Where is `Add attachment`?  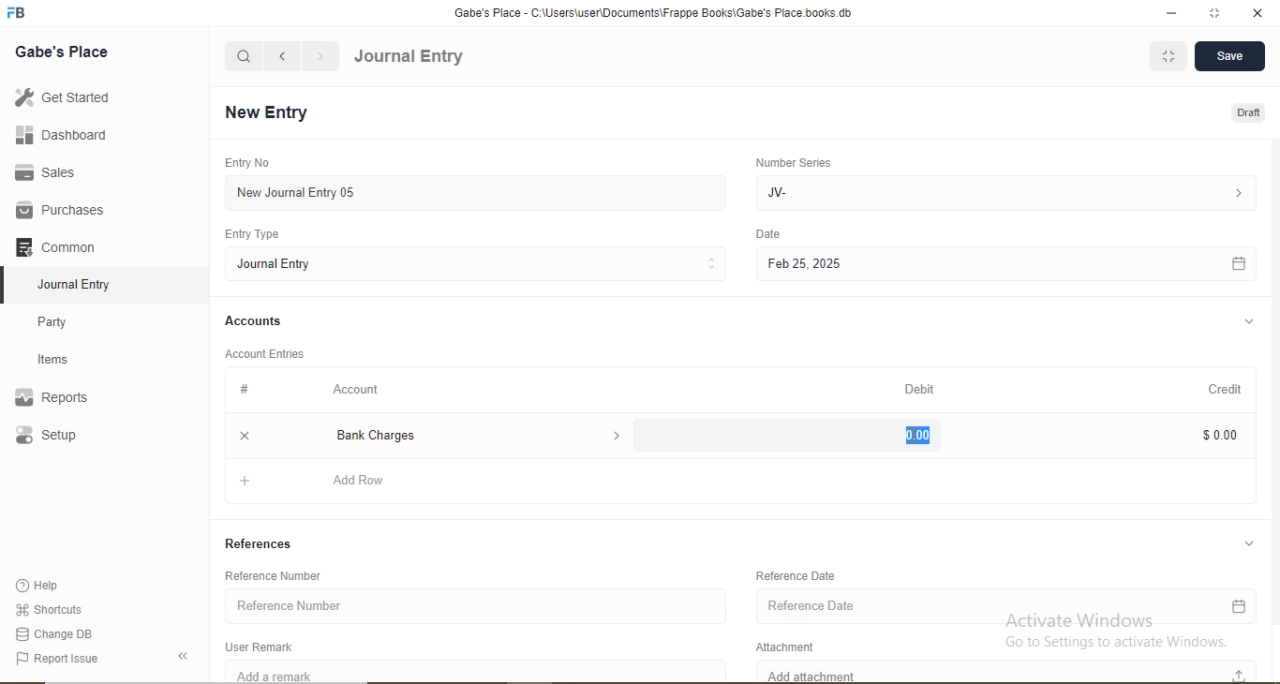
Add attachment is located at coordinates (1011, 671).